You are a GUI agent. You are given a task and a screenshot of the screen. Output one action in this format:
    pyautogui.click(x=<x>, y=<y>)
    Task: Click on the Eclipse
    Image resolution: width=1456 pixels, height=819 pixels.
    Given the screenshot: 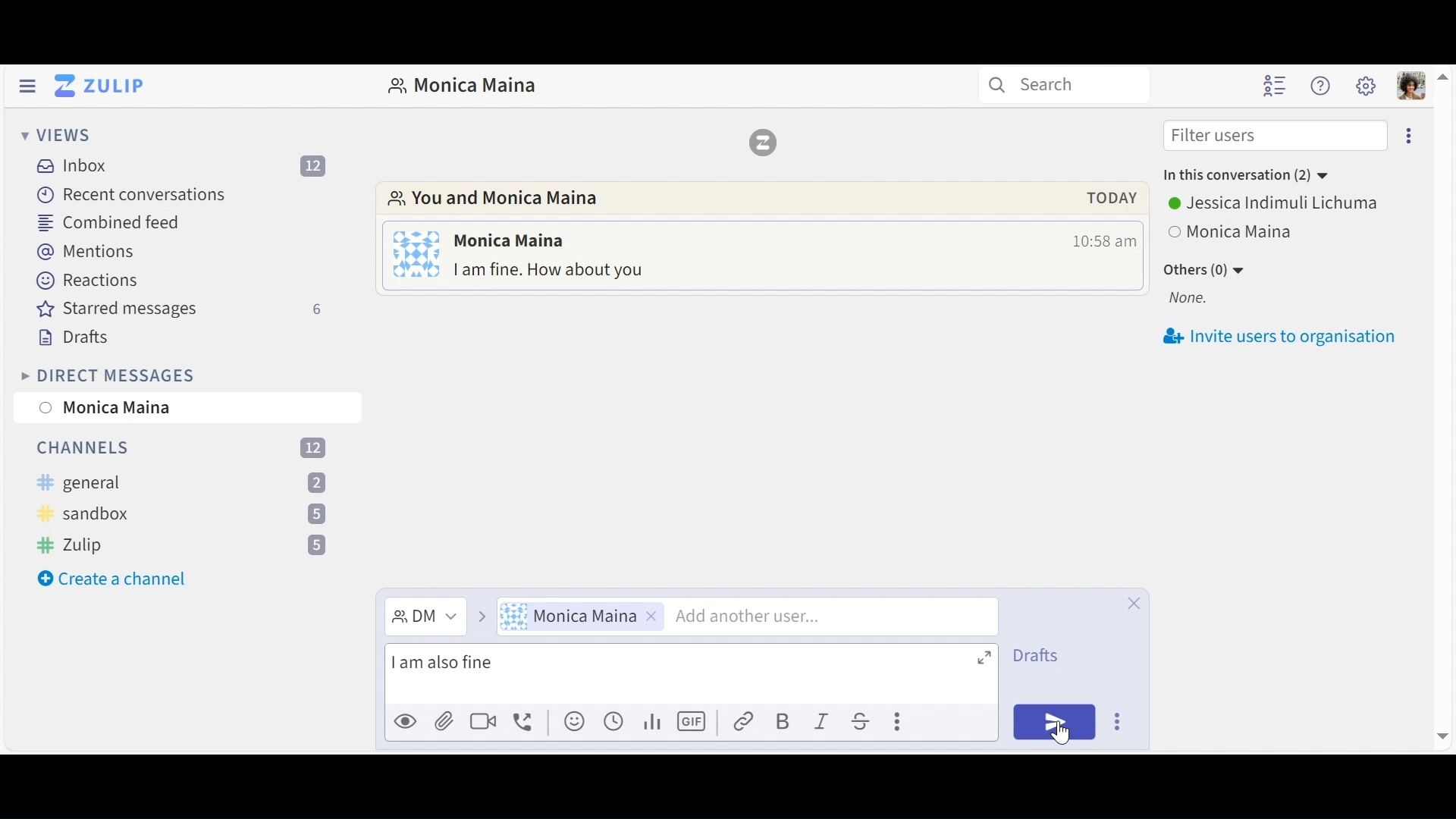 What is the action you would take?
    pyautogui.click(x=1407, y=136)
    